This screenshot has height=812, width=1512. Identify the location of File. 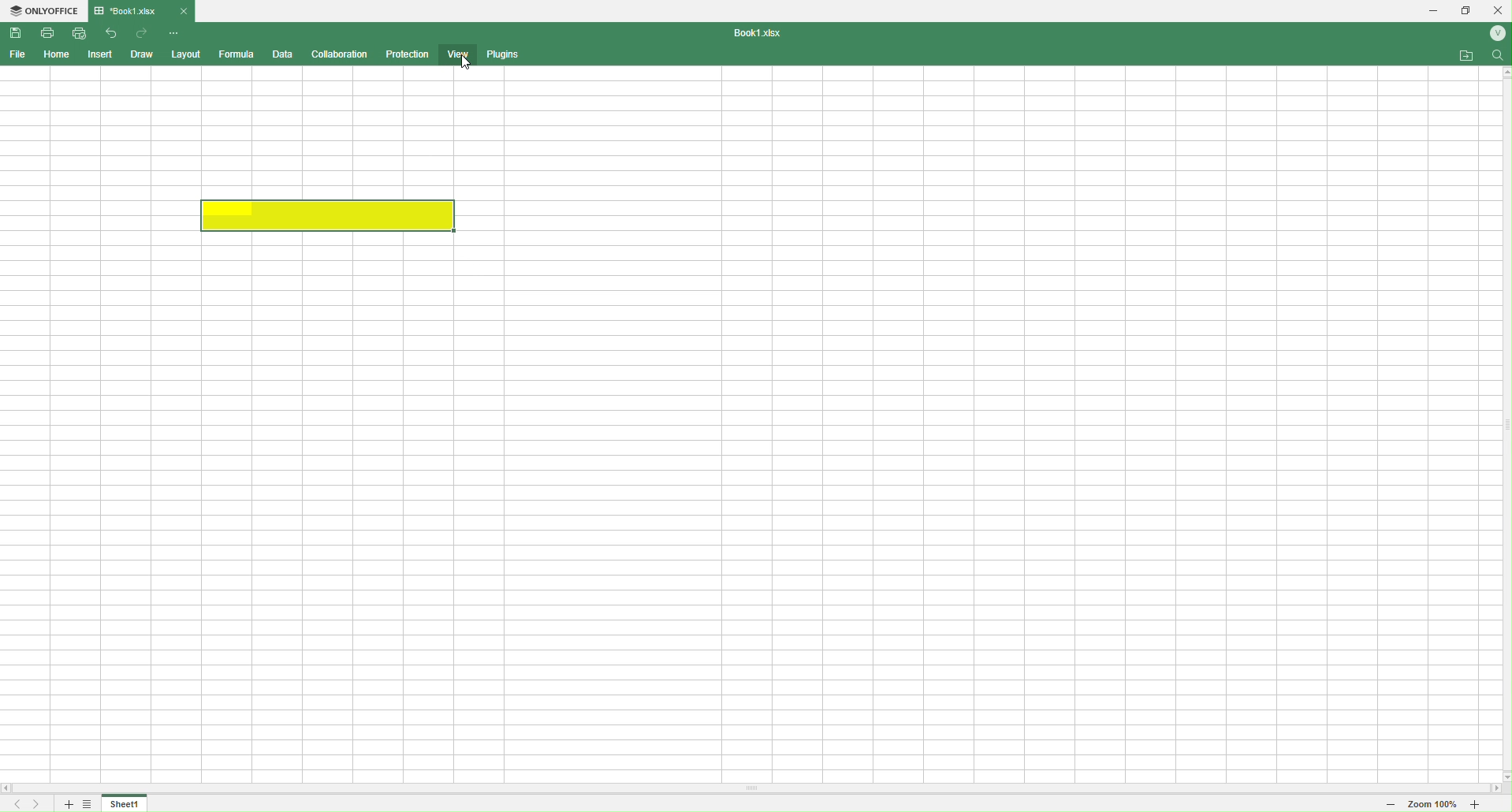
(18, 54).